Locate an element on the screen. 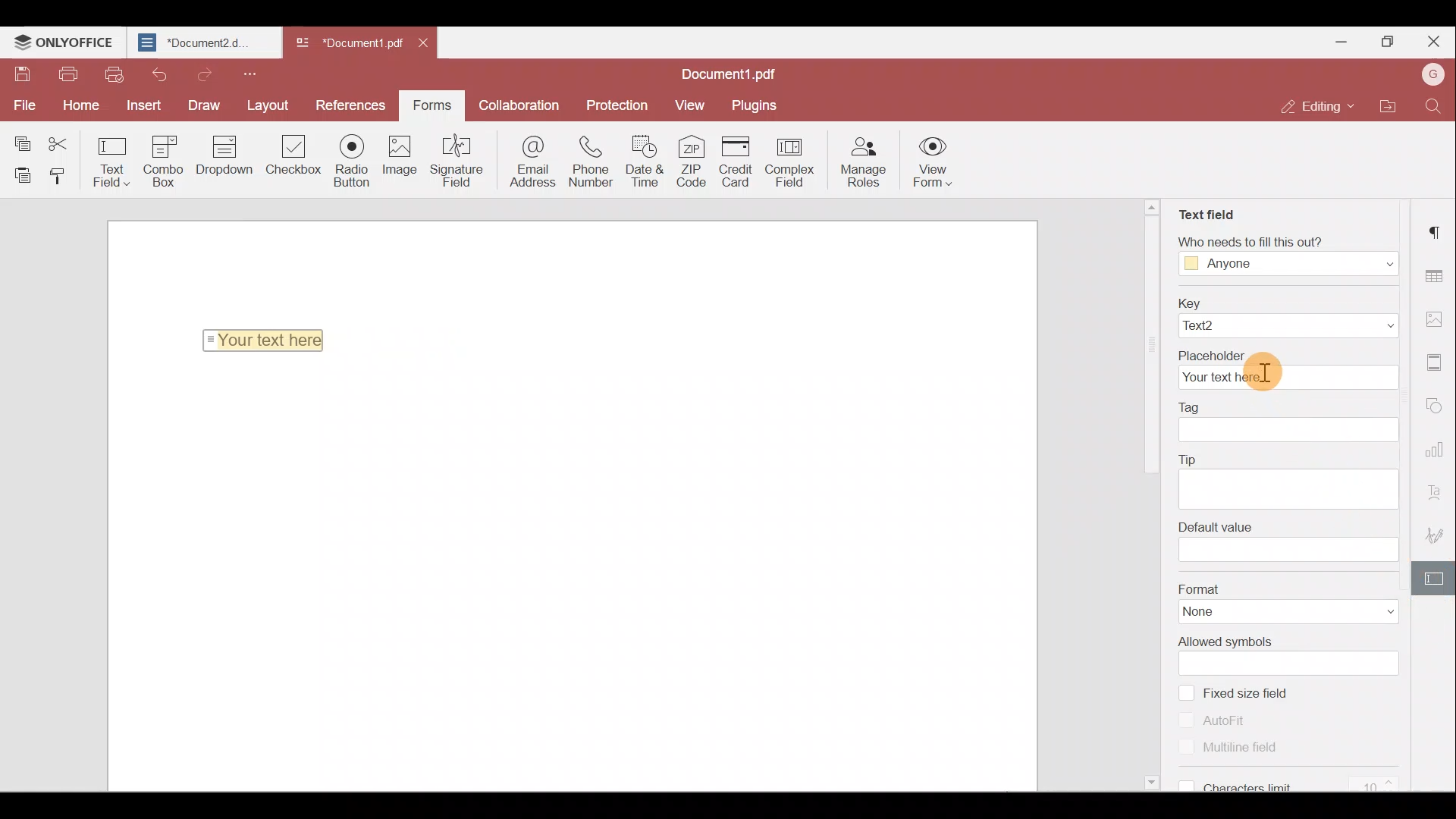 This screenshot has height=819, width=1456. Print file is located at coordinates (67, 74).